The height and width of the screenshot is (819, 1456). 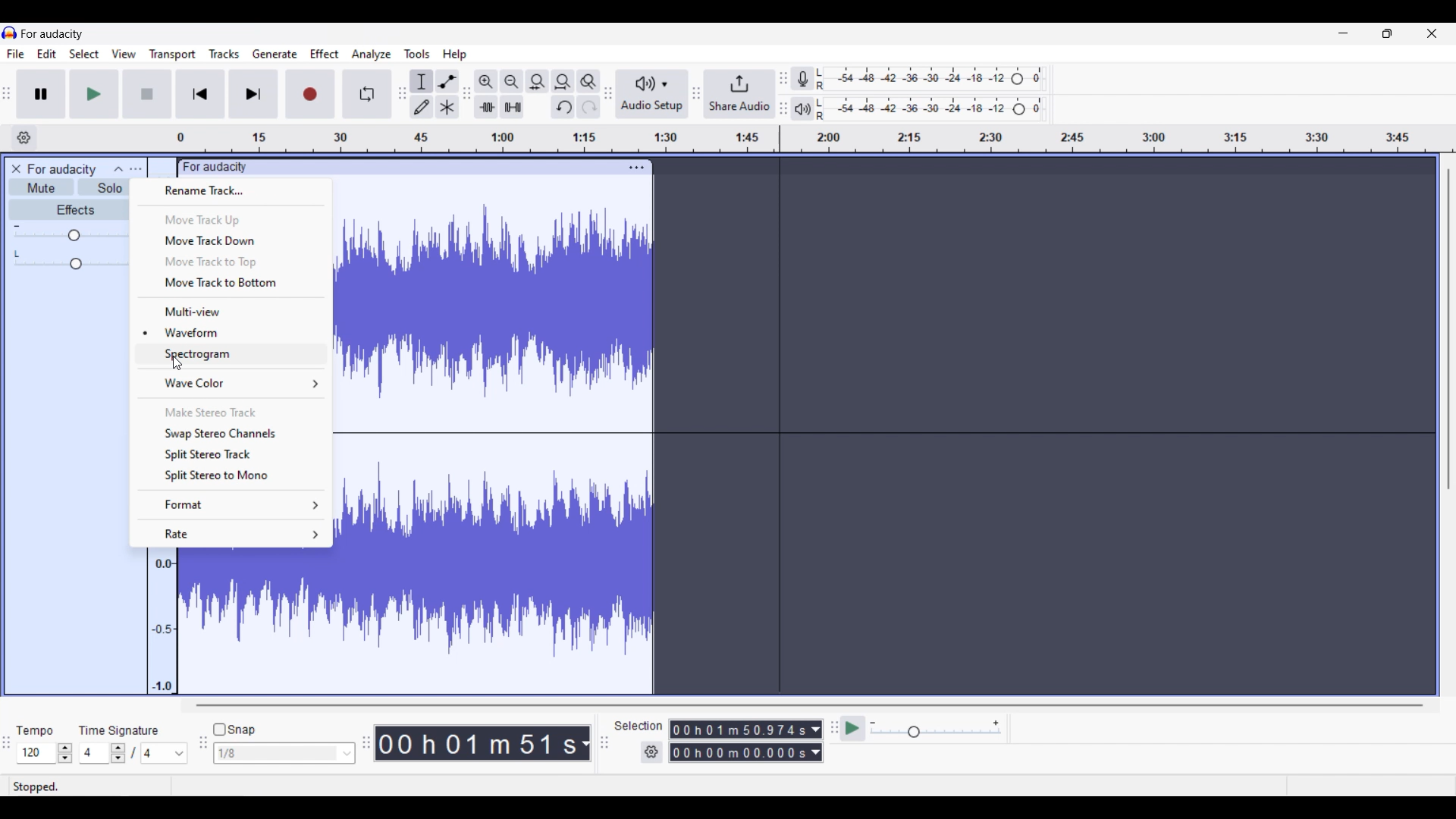 What do you see at coordinates (801, 78) in the screenshot?
I see `Record meter` at bounding box center [801, 78].